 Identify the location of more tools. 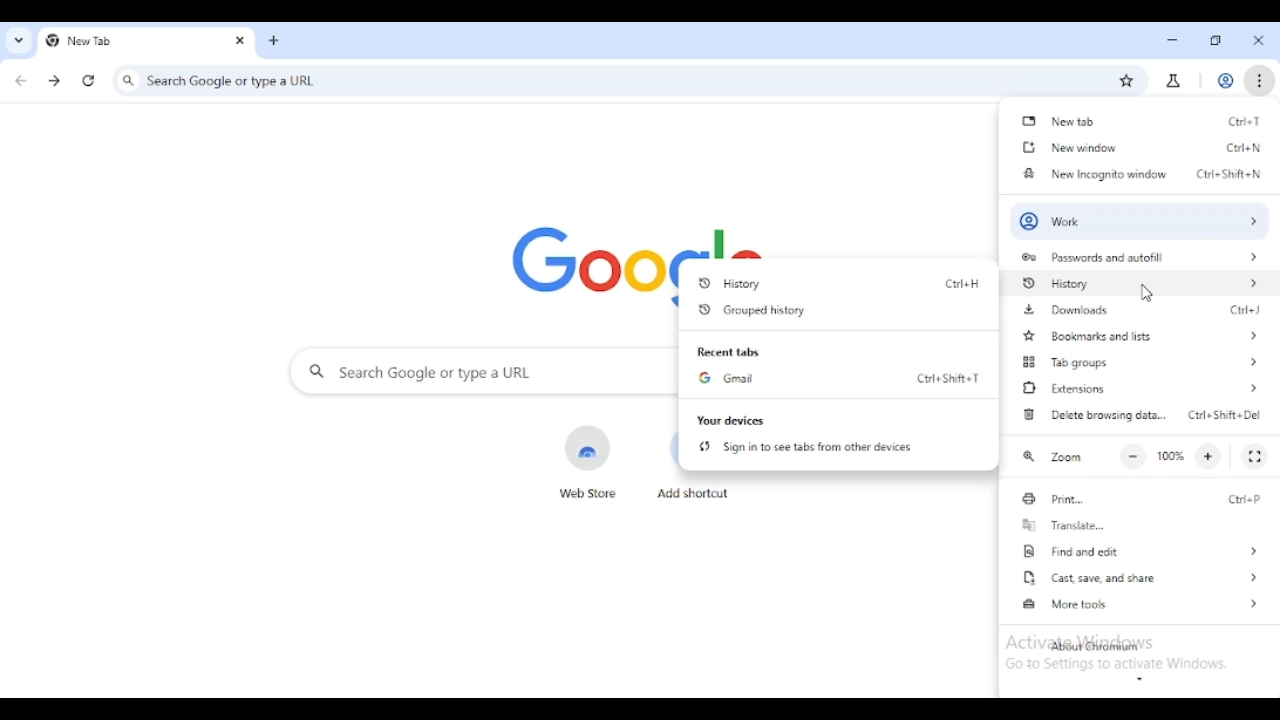
(1138, 603).